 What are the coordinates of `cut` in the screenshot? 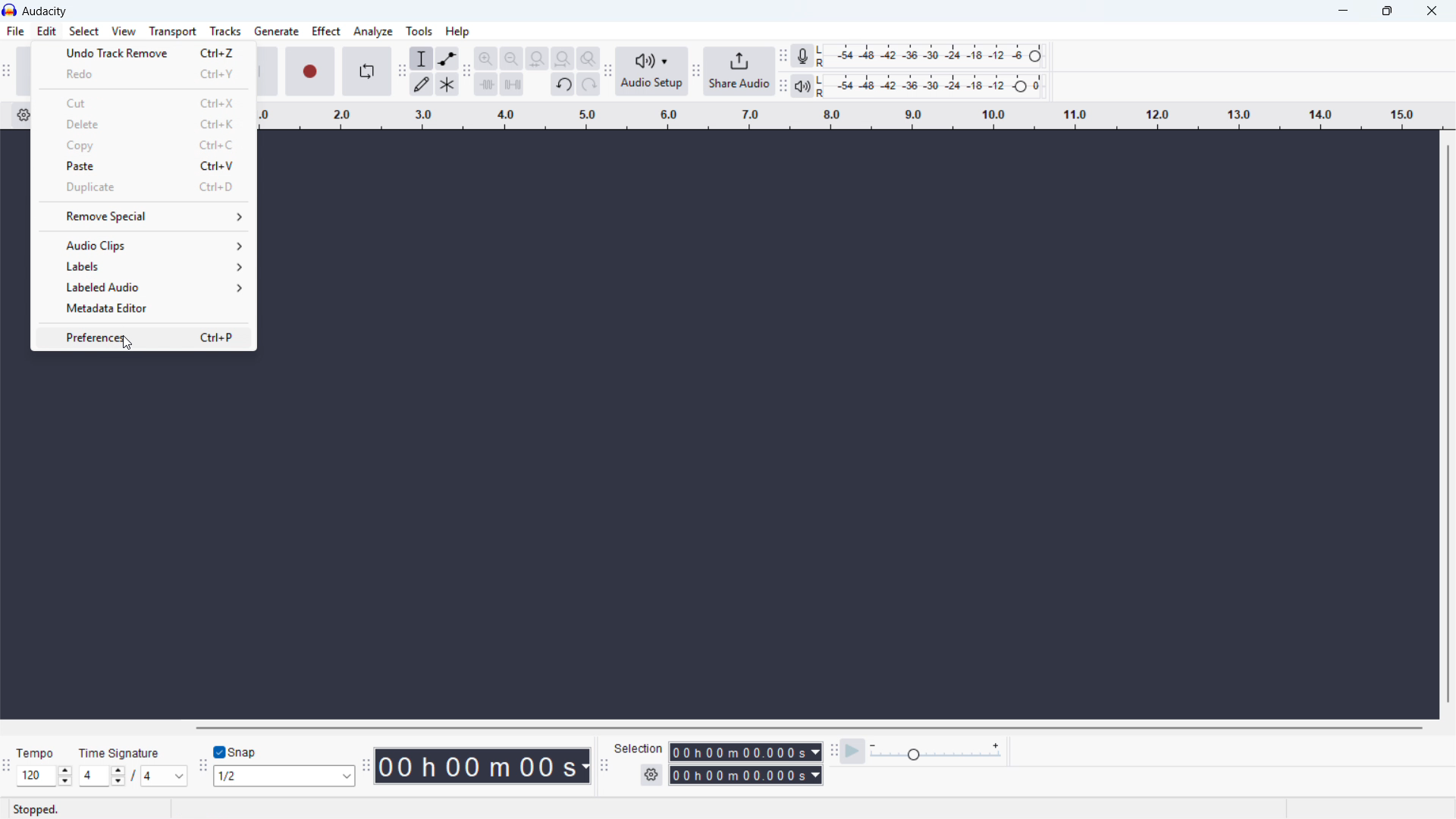 It's located at (143, 102).